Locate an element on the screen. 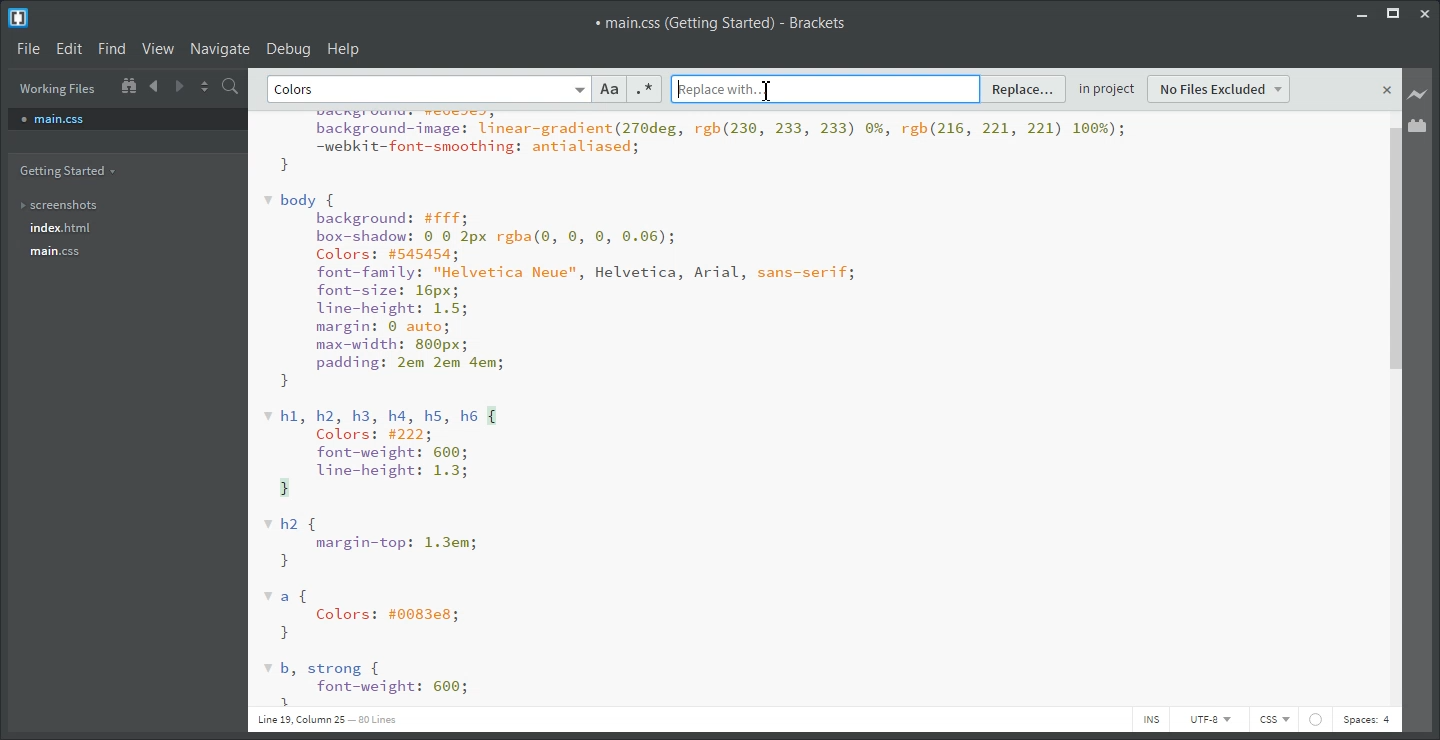  Regular Expression is located at coordinates (644, 89).